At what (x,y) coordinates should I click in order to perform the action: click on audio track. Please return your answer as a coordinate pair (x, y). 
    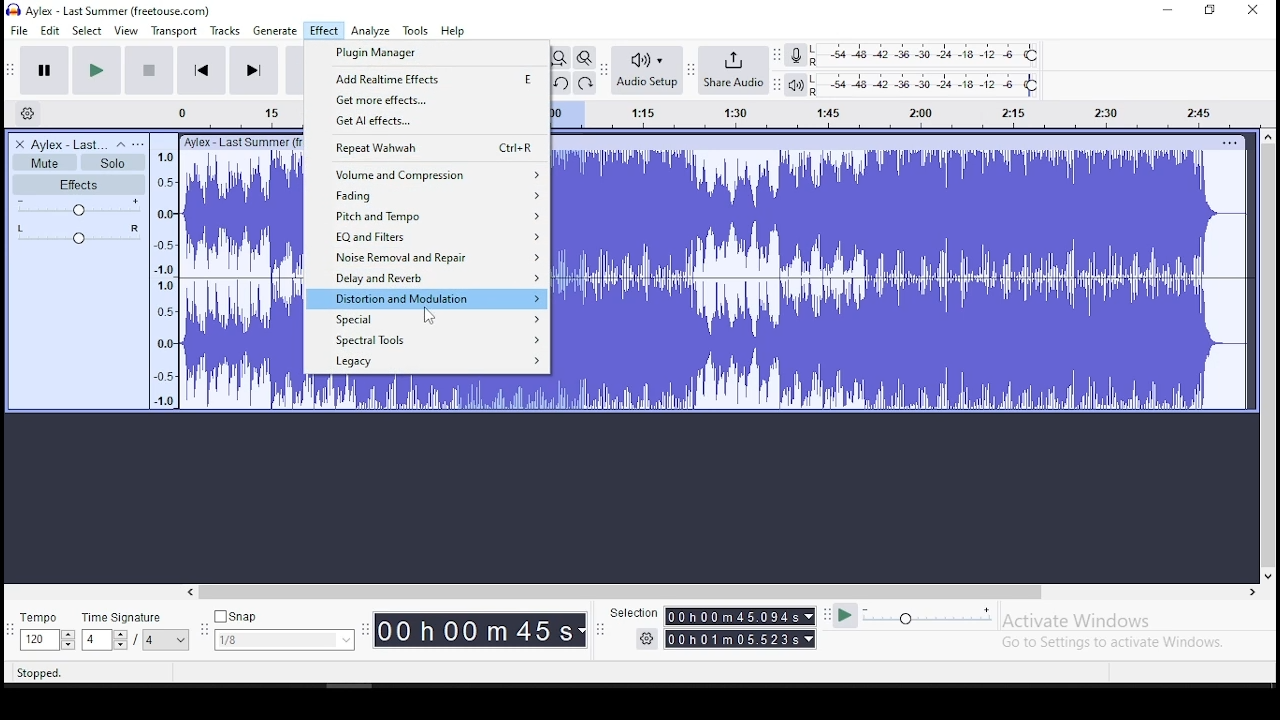
    Looking at the image, I should click on (899, 282).